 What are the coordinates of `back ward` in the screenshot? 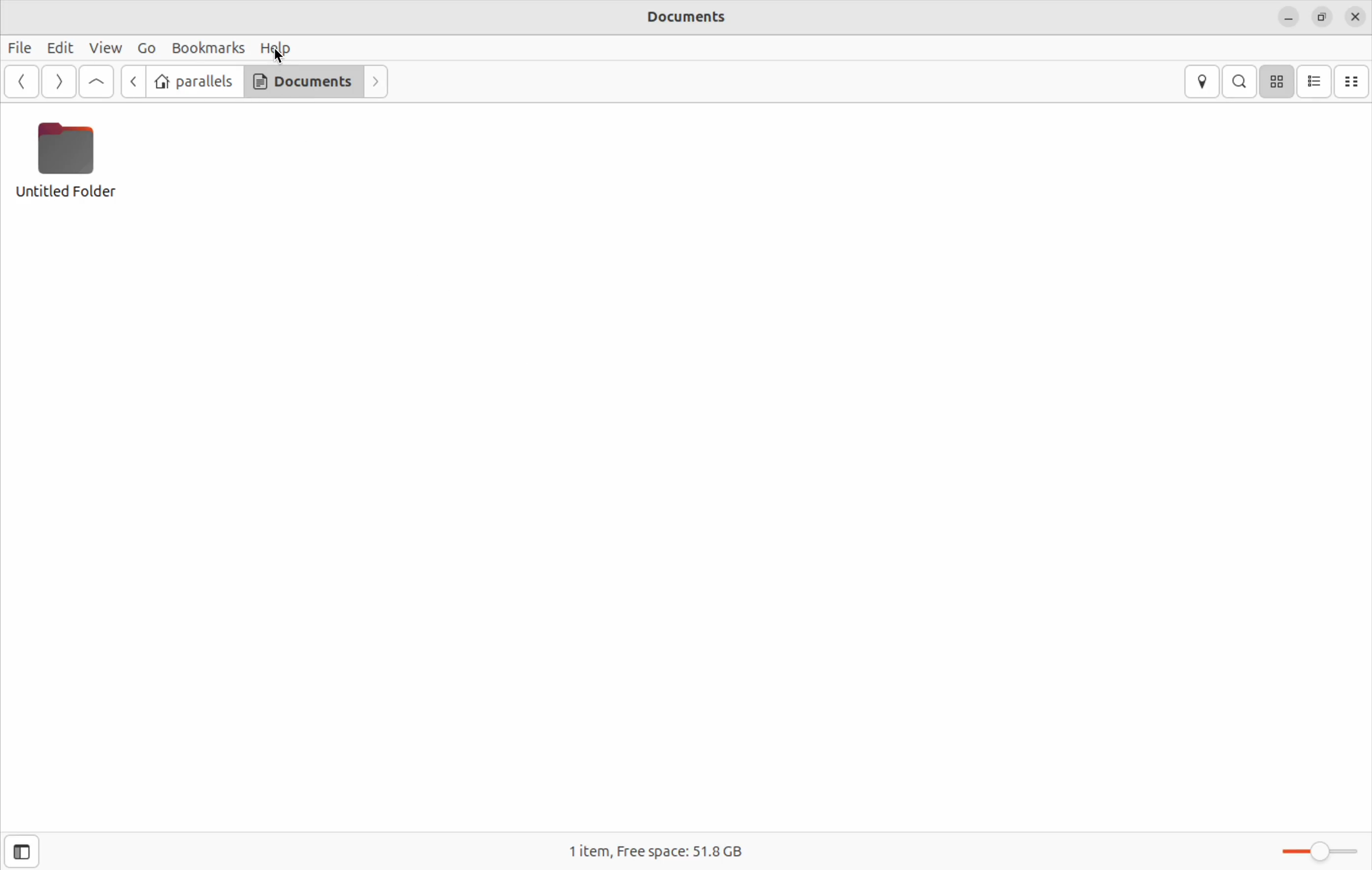 It's located at (132, 84).